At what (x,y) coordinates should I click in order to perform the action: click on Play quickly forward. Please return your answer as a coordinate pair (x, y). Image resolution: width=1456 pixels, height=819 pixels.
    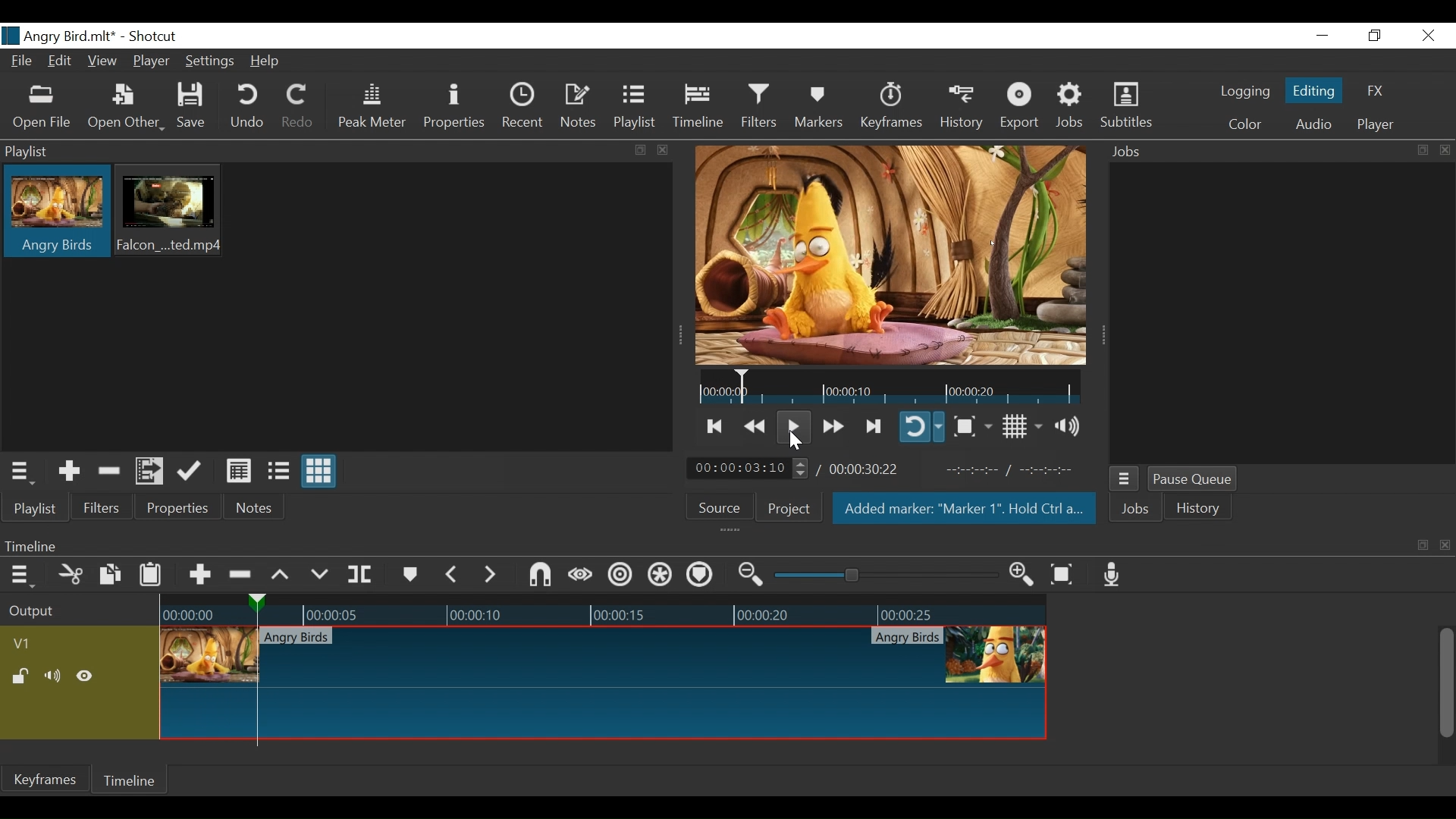
    Looking at the image, I should click on (832, 425).